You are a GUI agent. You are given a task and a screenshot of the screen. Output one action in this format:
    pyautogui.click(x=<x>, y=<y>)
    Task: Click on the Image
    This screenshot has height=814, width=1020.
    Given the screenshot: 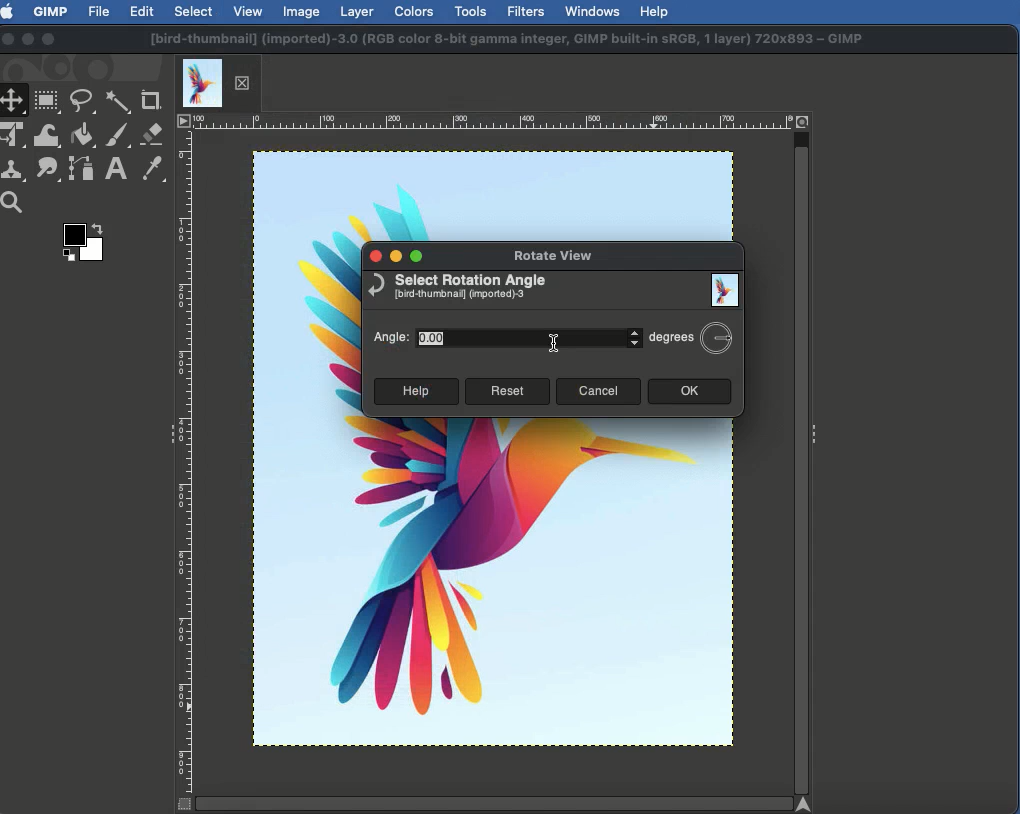 What is the action you would take?
    pyautogui.click(x=302, y=11)
    